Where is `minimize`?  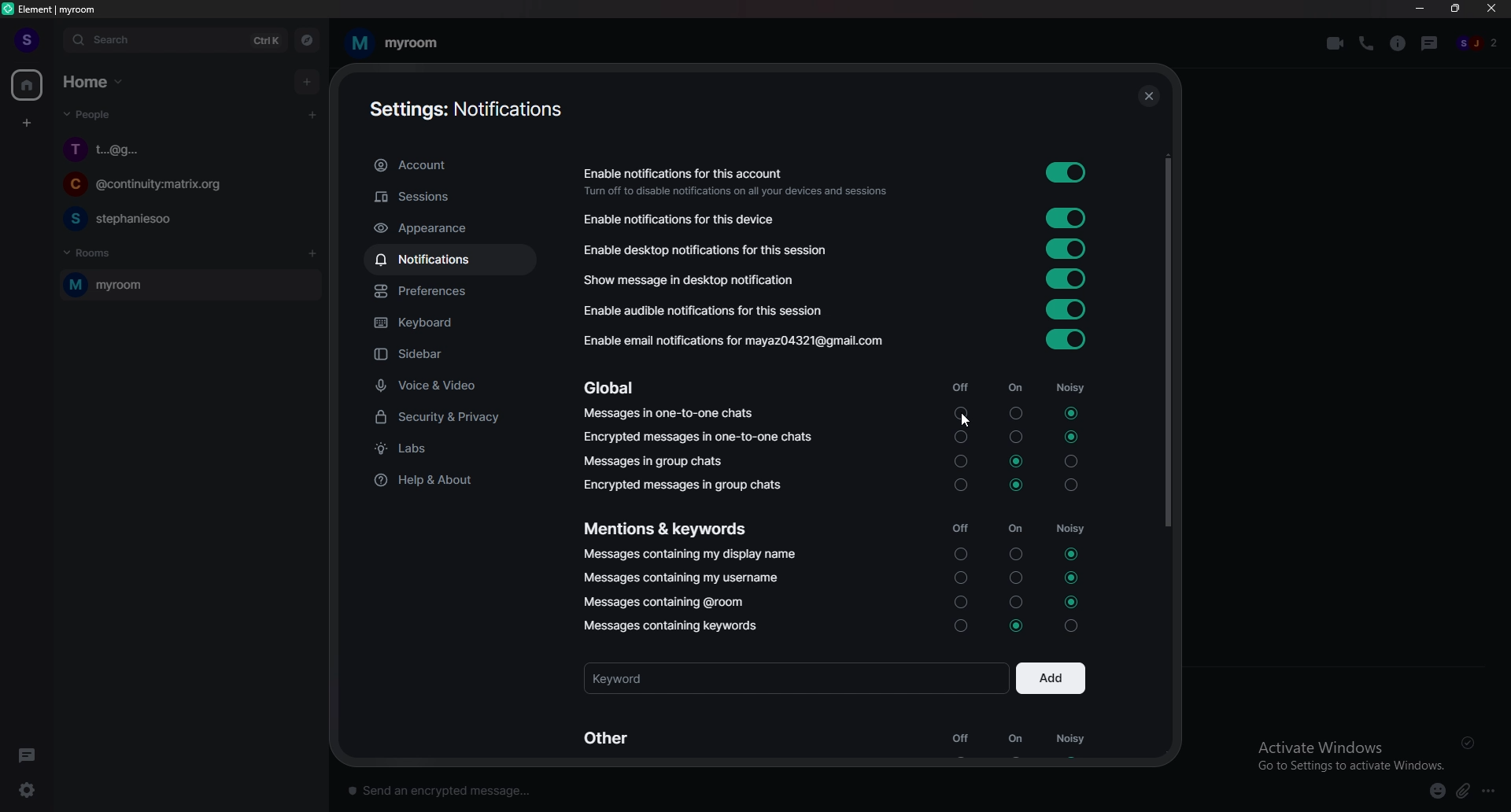
minimize is located at coordinates (1421, 9).